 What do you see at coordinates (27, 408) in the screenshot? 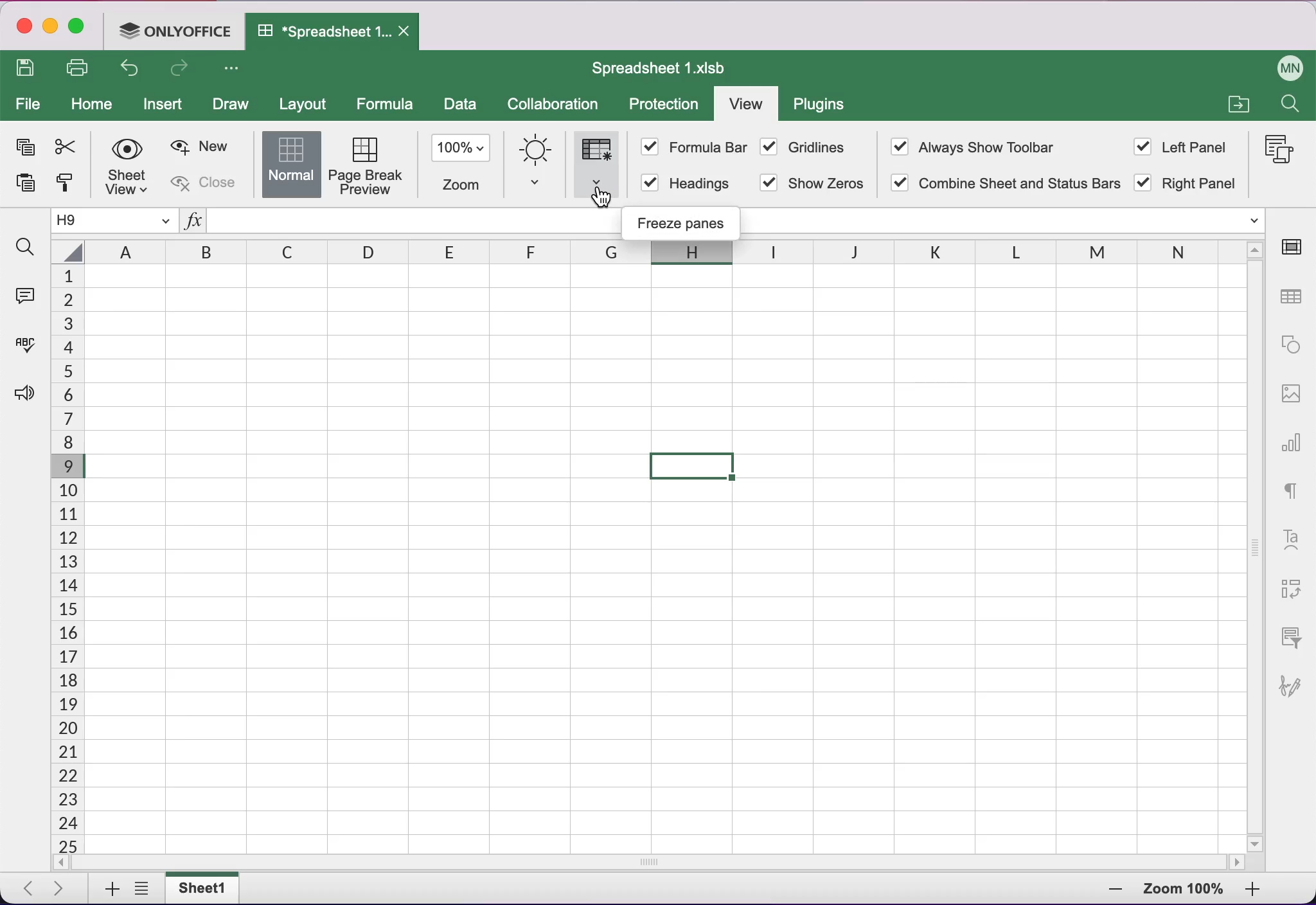
I see `feedback and support` at bounding box center [27, 408].